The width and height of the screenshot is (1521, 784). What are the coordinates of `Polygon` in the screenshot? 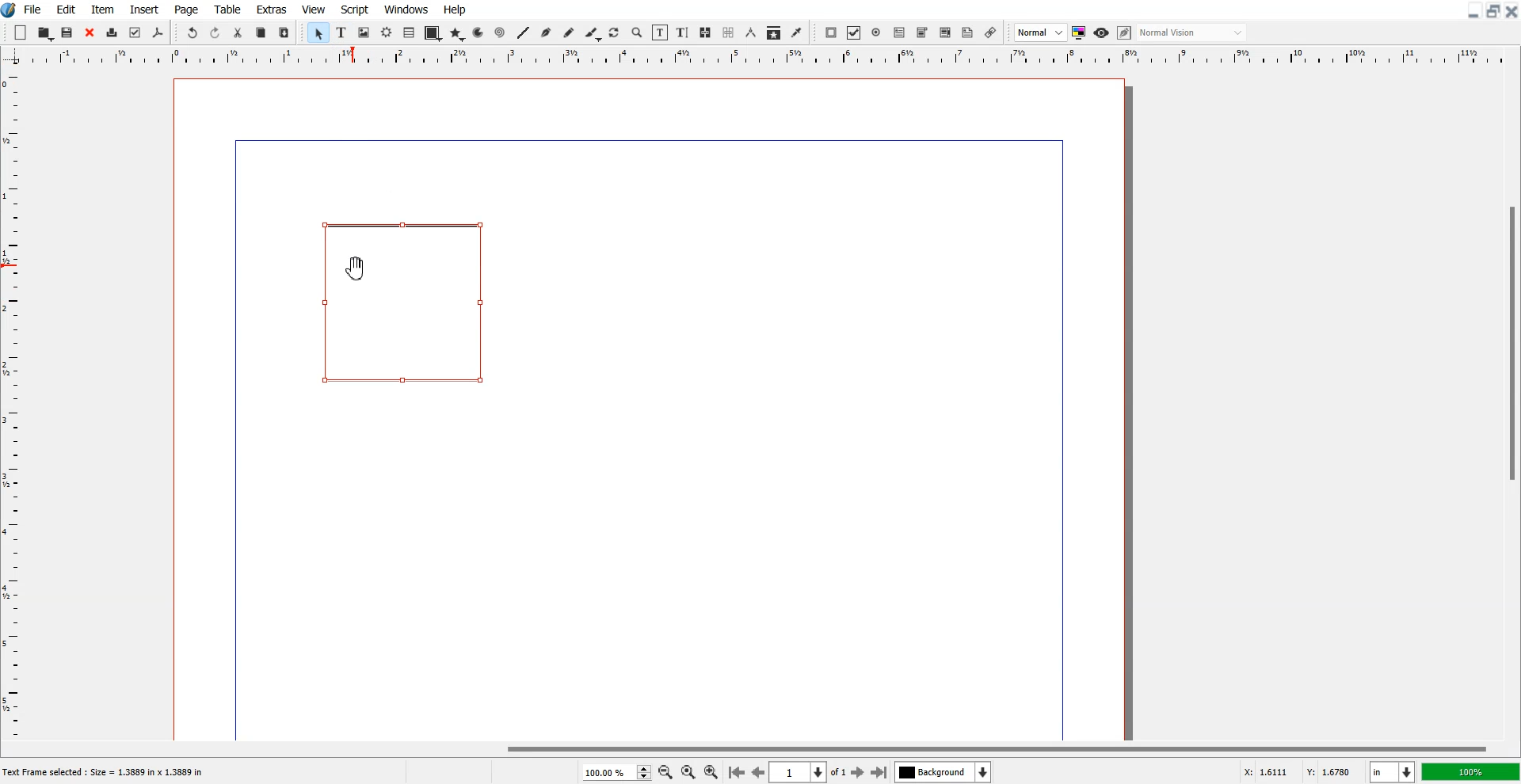 It's located at (457, 33).